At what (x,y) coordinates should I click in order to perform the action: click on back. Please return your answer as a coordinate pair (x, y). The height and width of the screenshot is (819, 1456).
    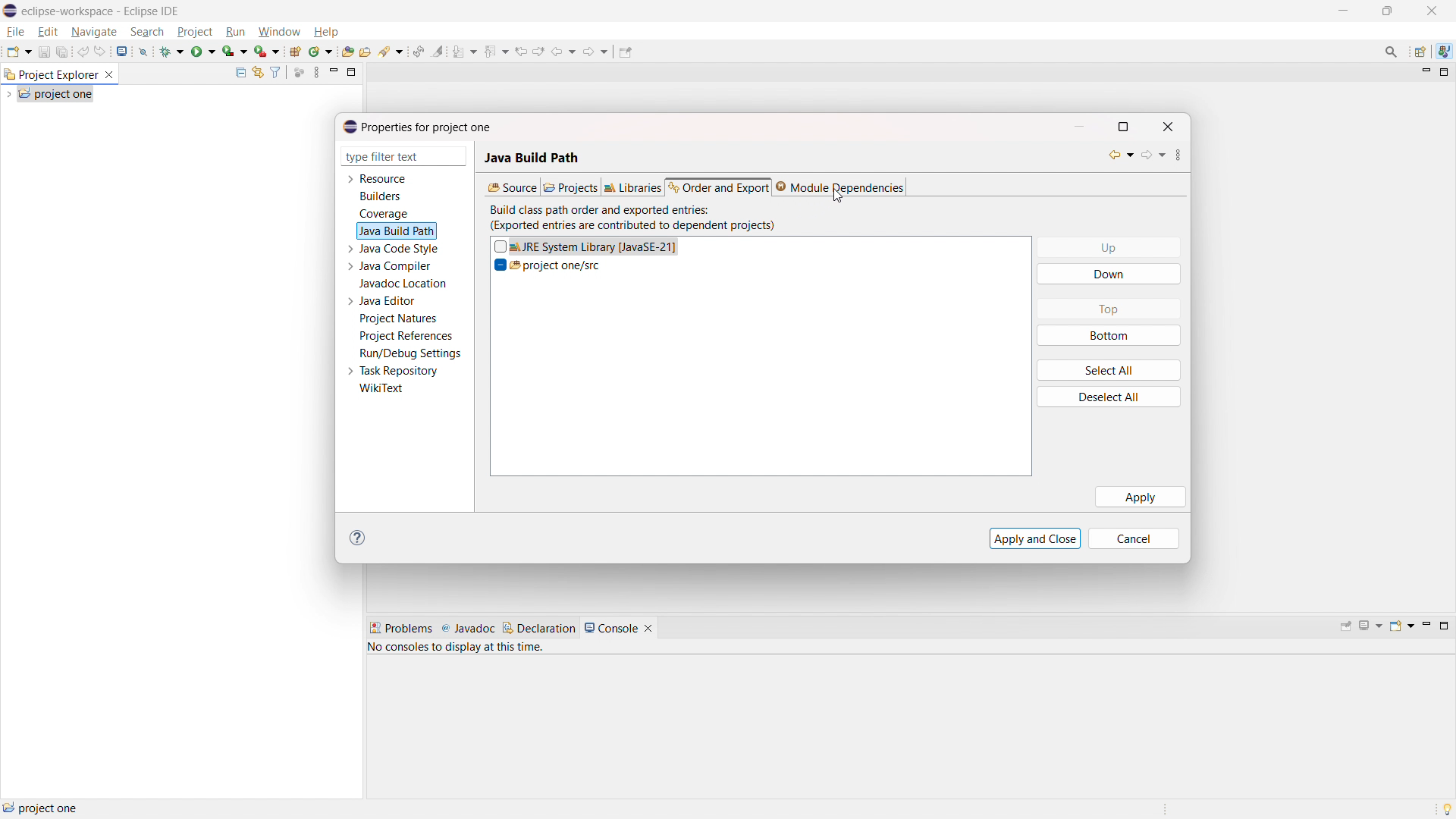
    Looking at the image, I should click on (563, 50).